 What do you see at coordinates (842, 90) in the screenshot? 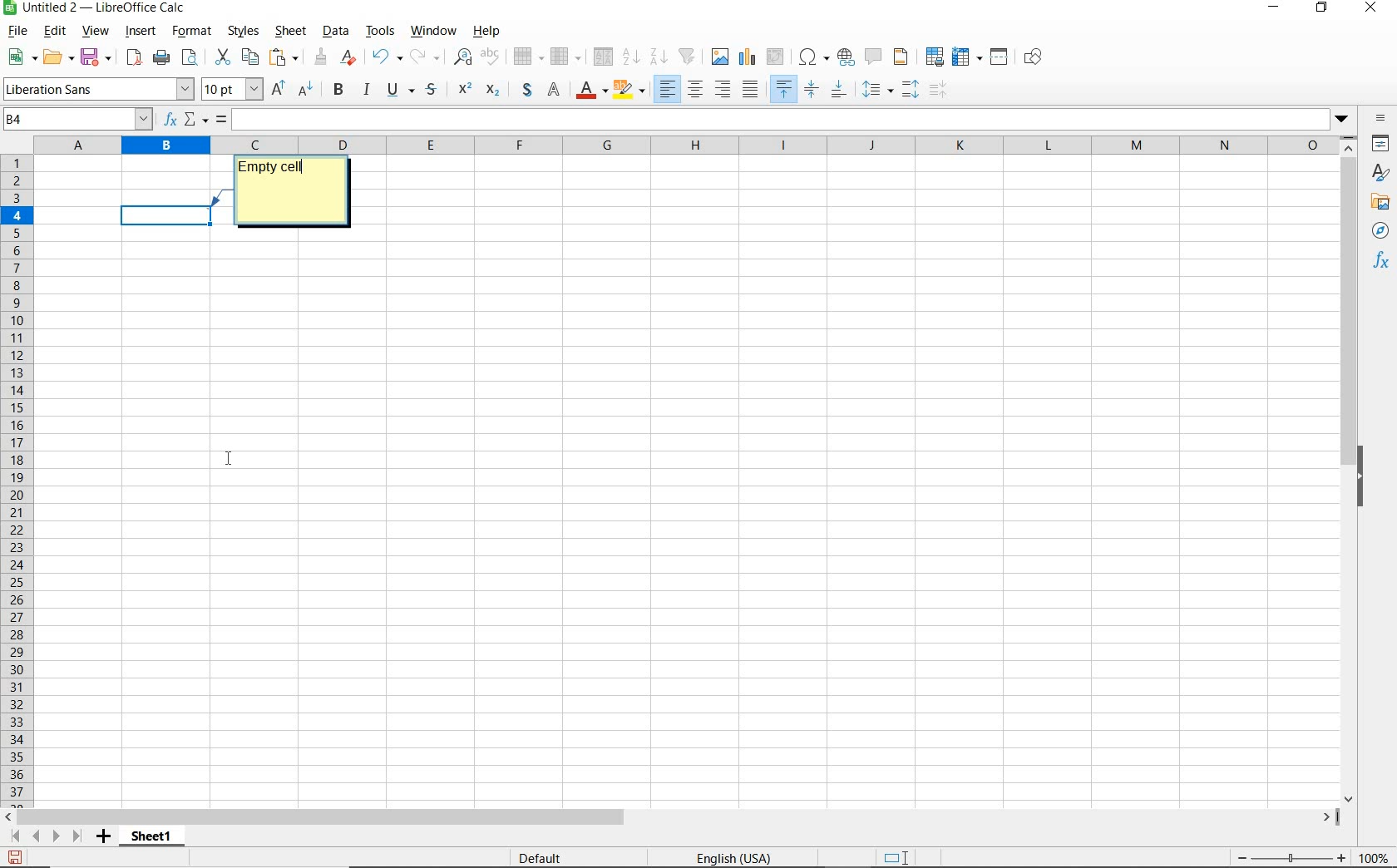
I see `align bottom` at bounding box center [842, 90].